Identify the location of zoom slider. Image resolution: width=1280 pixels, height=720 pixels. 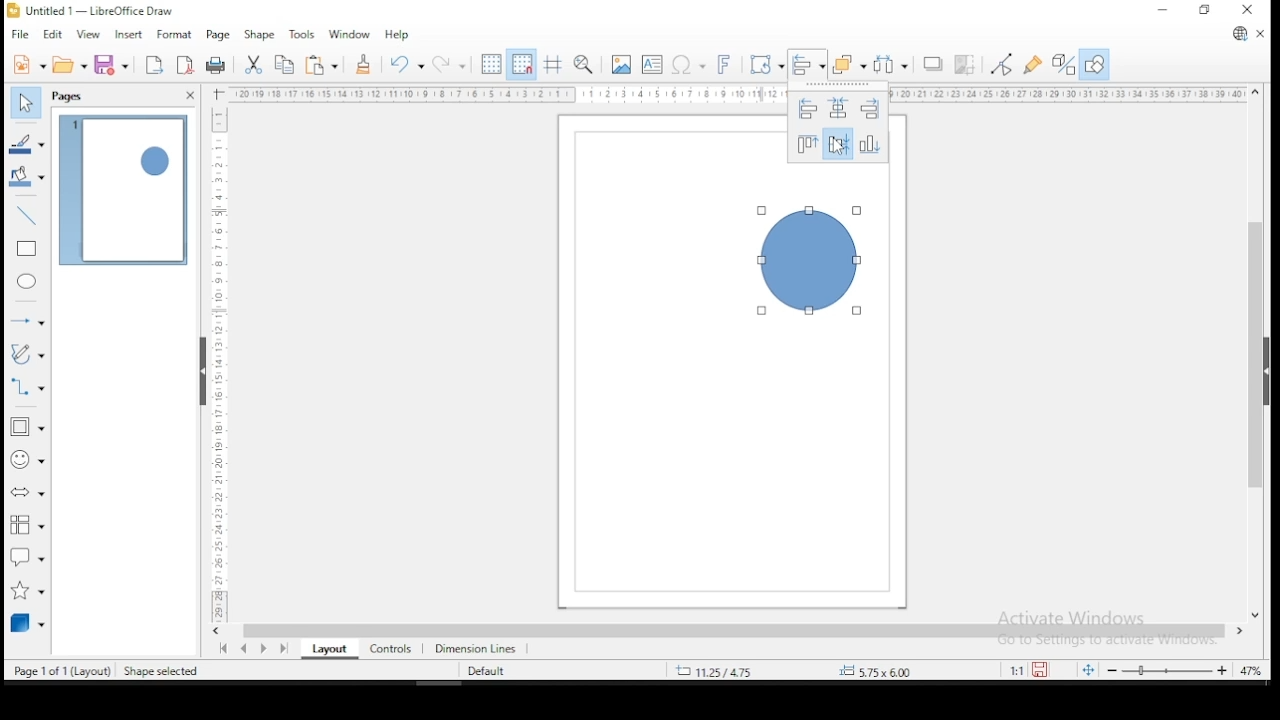
(1166, 669).